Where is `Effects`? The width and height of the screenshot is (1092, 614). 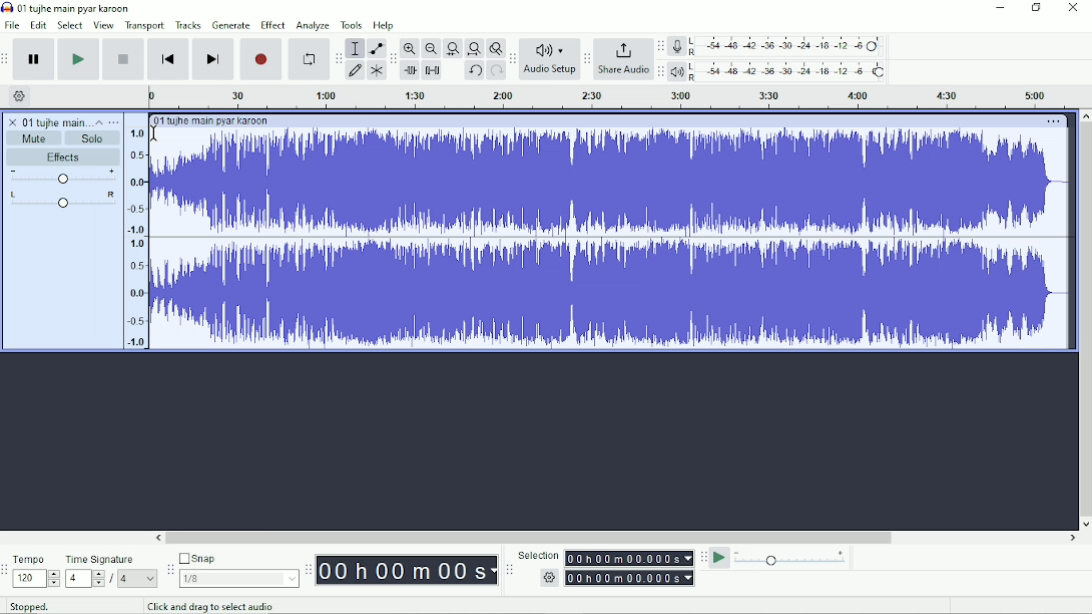 Effects is located at coordinates (67, 157).